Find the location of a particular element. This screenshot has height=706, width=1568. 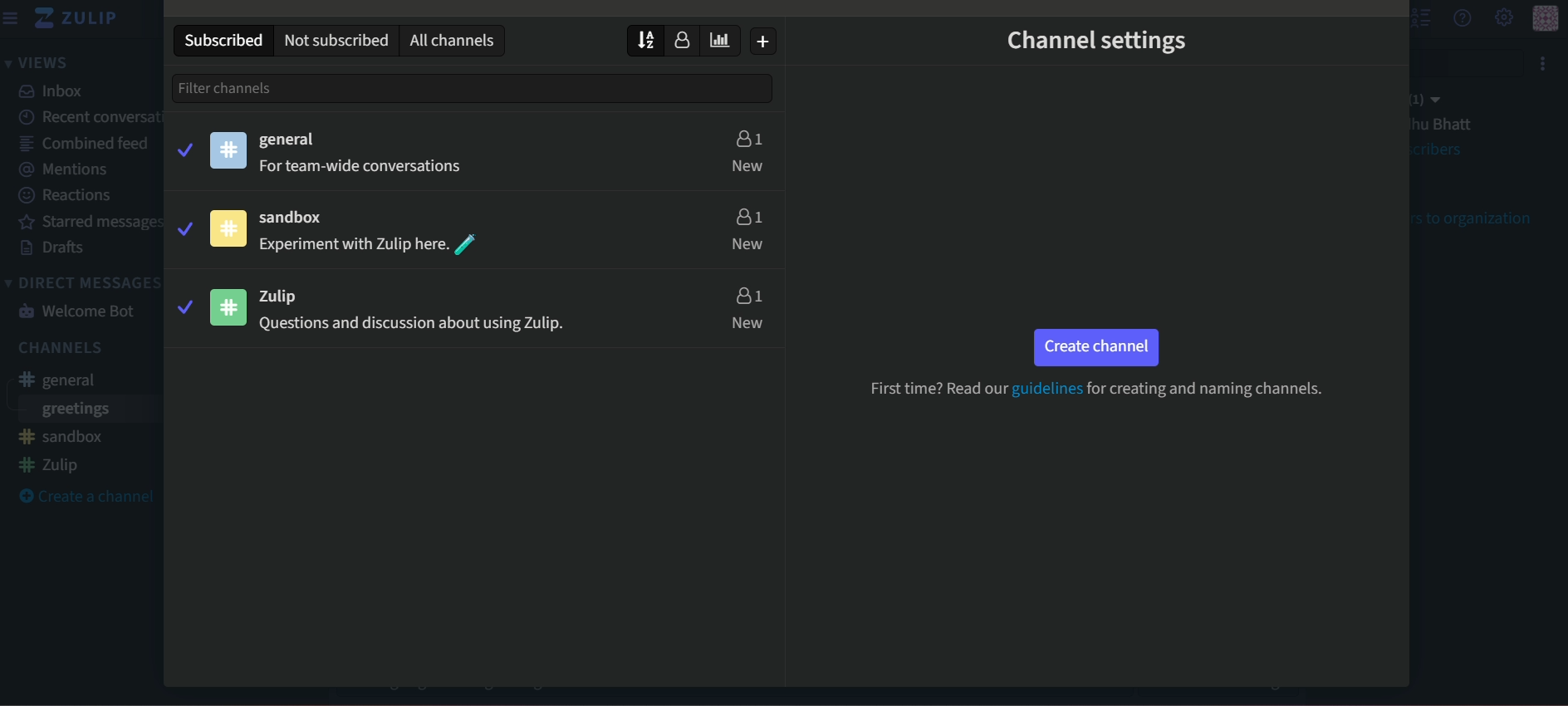

all channels is located at coordinates (453, 38).